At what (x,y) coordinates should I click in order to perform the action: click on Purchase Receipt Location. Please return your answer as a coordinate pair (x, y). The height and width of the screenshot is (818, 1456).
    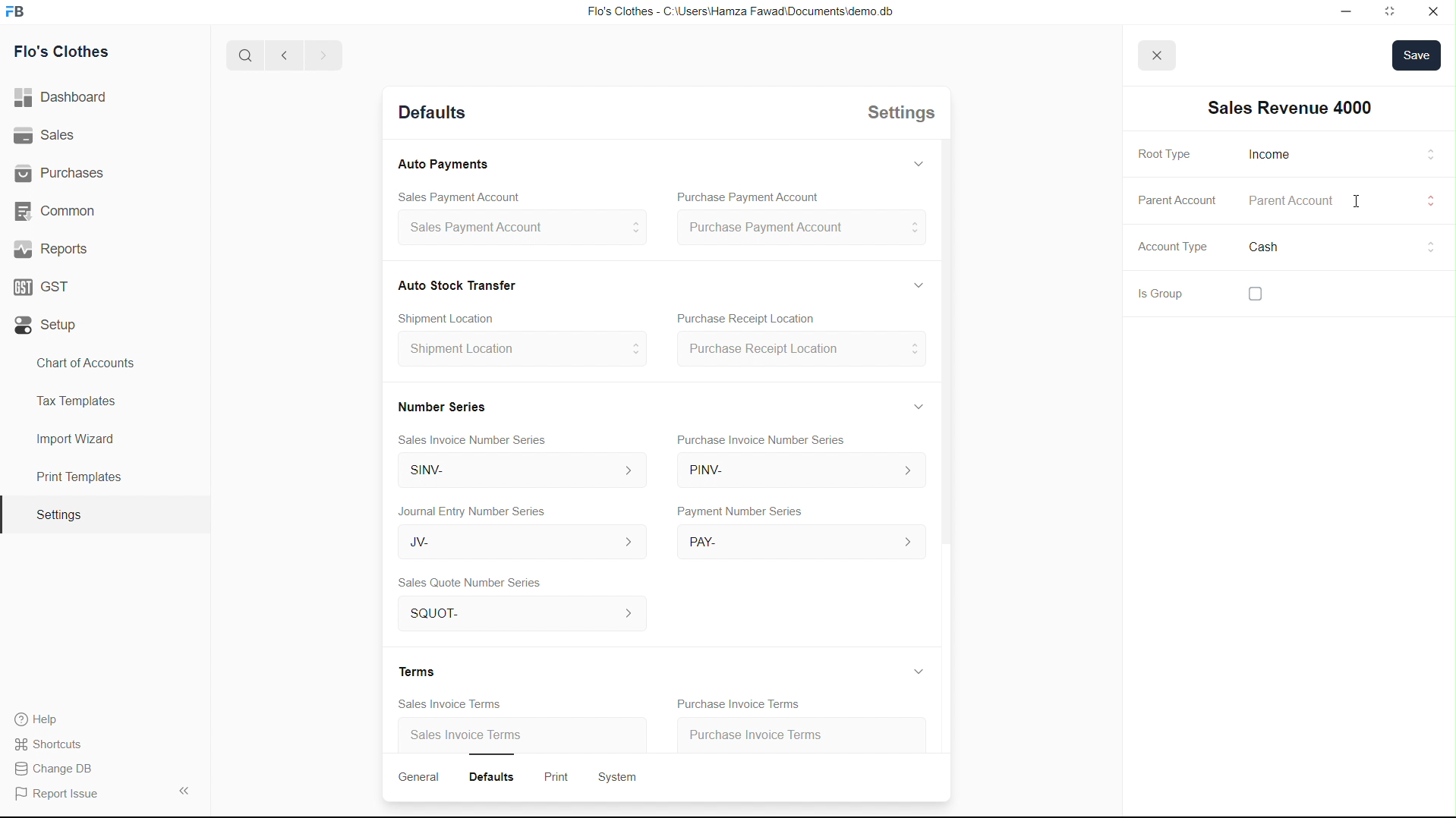
    Looking at the image, I should click on (764, 319).